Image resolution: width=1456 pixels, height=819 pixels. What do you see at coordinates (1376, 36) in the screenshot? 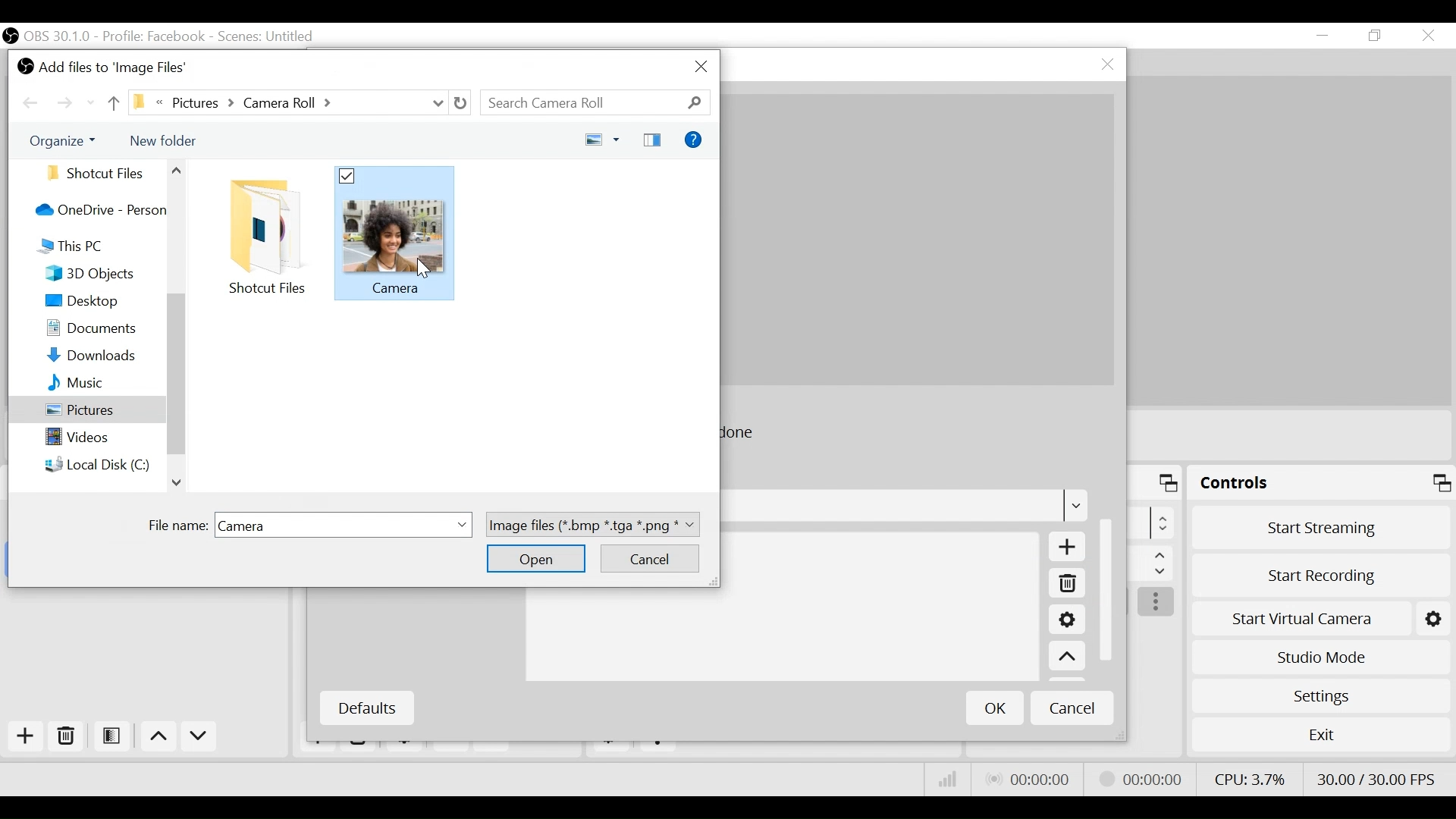
I see `Restore` at bounding box center [1376, 36].